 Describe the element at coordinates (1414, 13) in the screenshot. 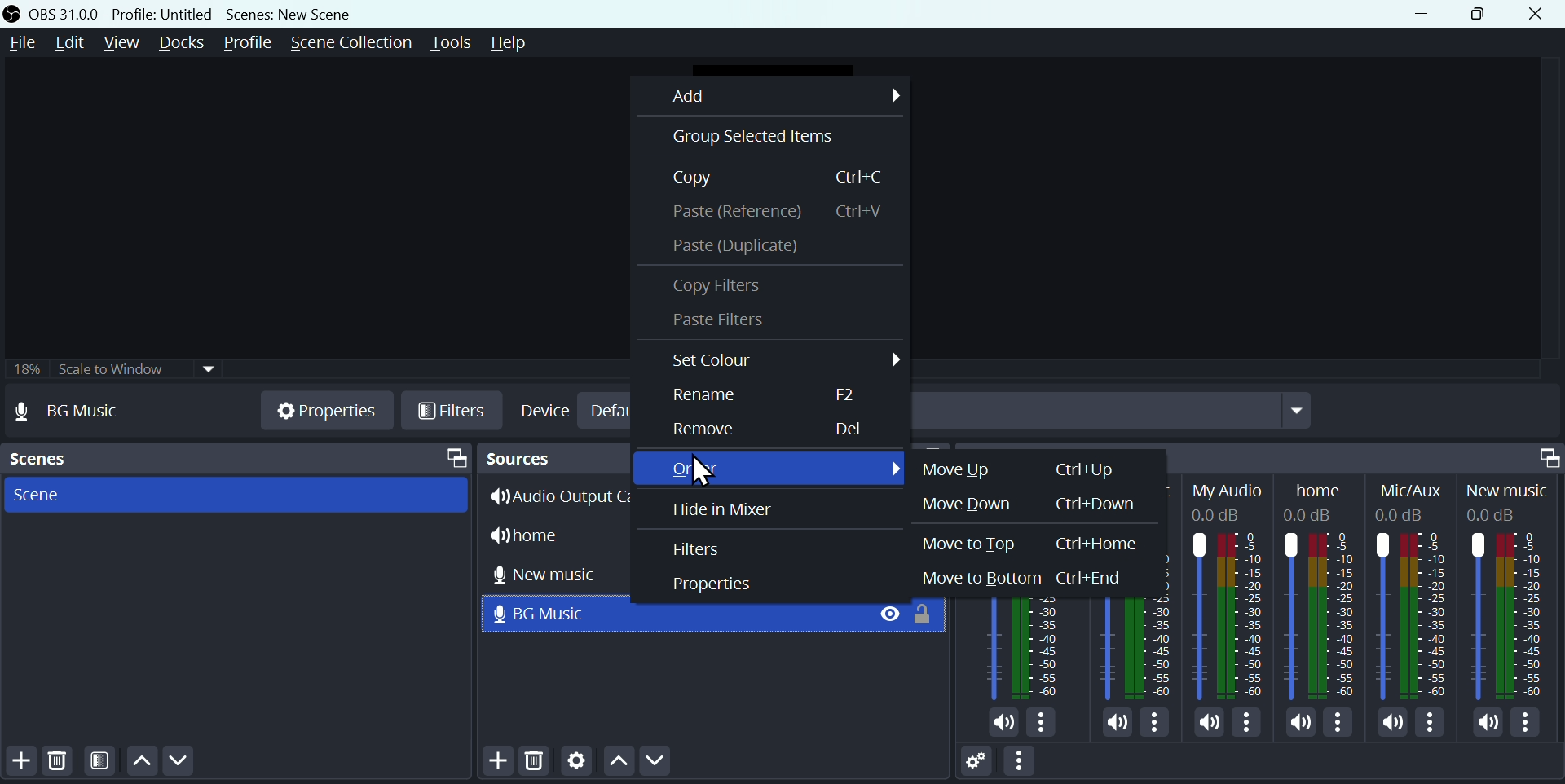

I see `minimise` at that location.